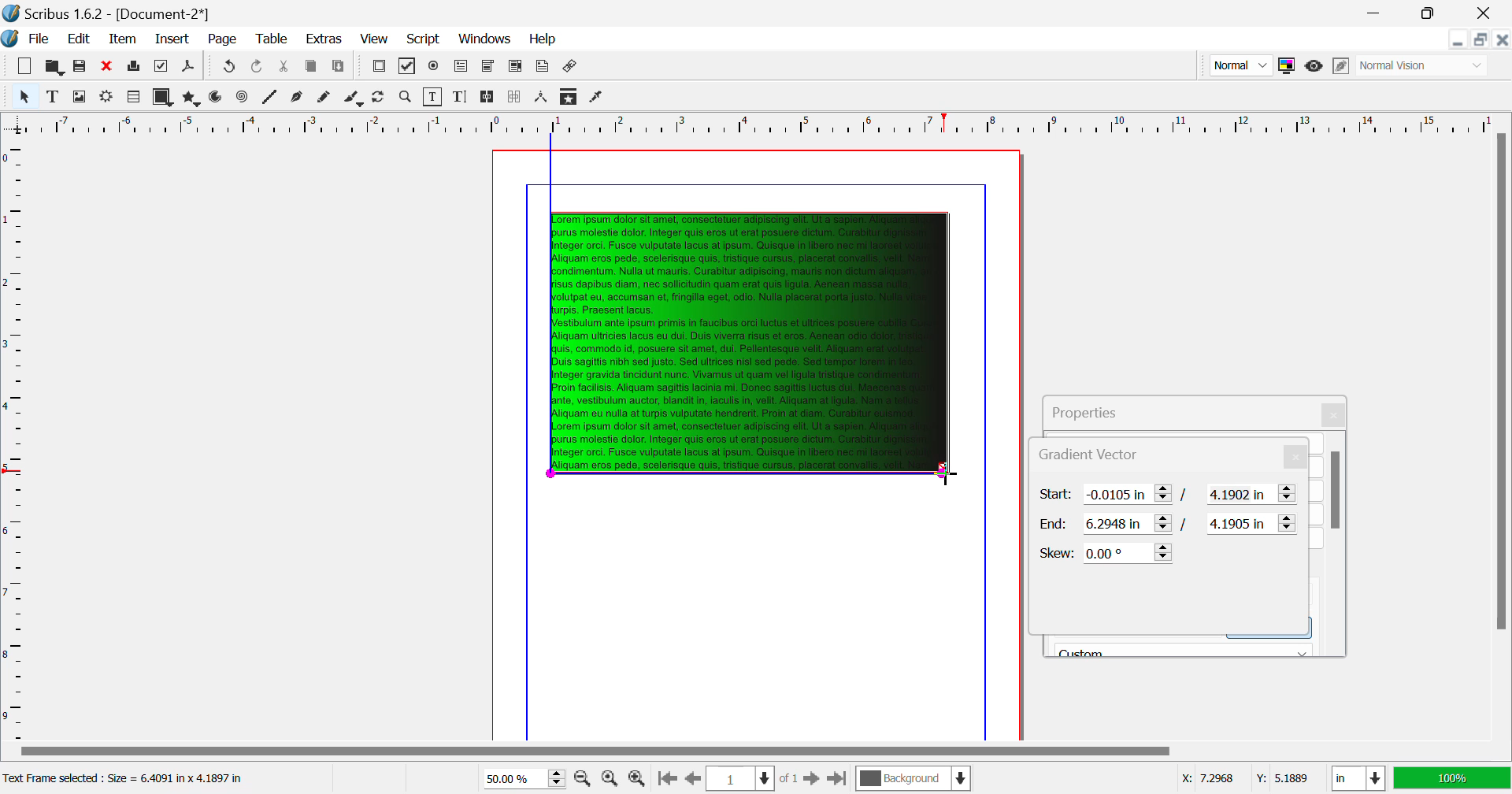 Image resolution: width=1512 pixels, height=794 pixels. What do you see at coordinates (460, 97) in the screenshot?
I see `Edit Text with Story Editor` at bounding box center [460, 97].